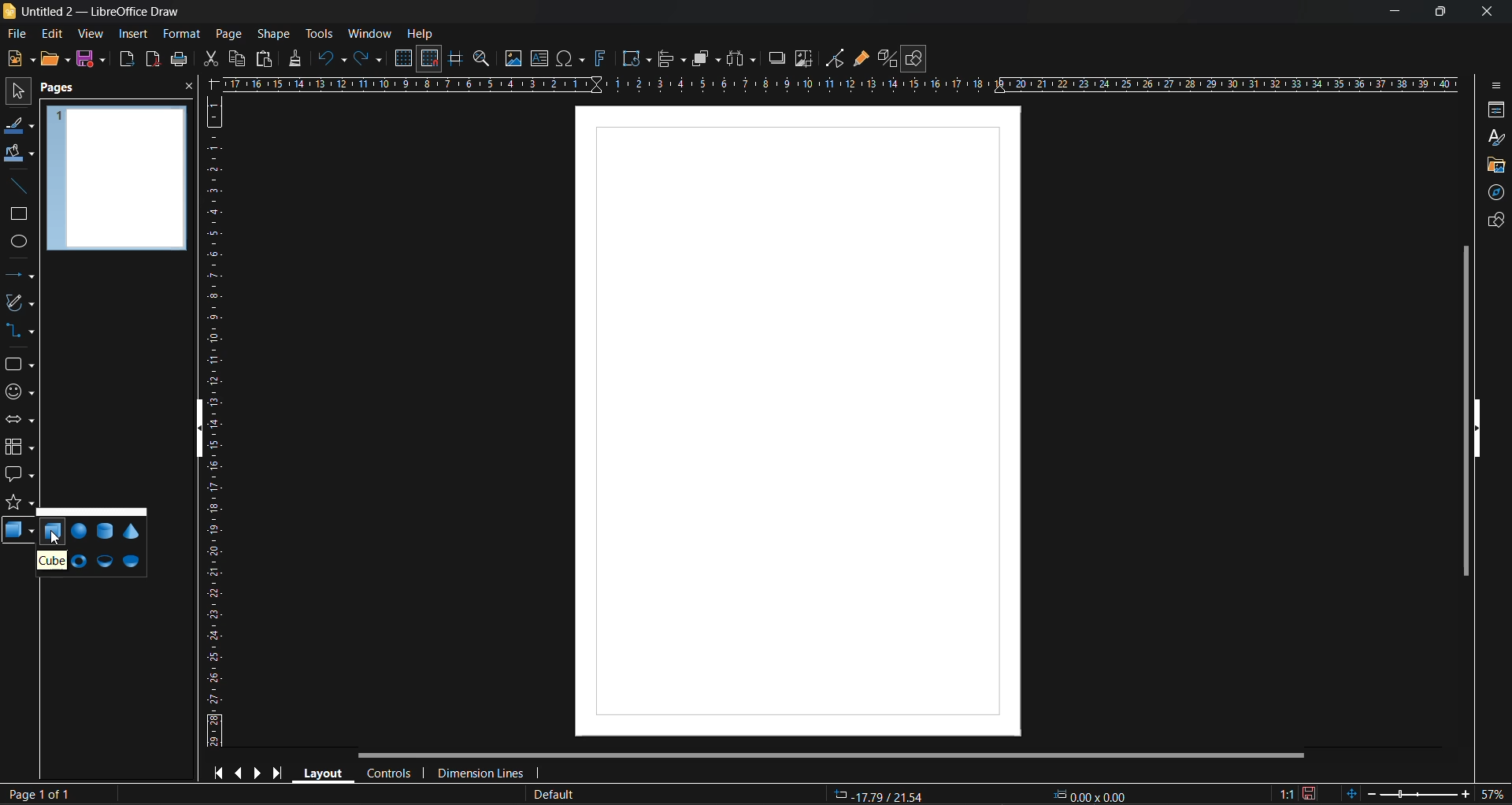 The width and height of the screenshot is (1512, 805). Describe the element at coordinates (228, 33) in the screenshot. I see `page` at that location.